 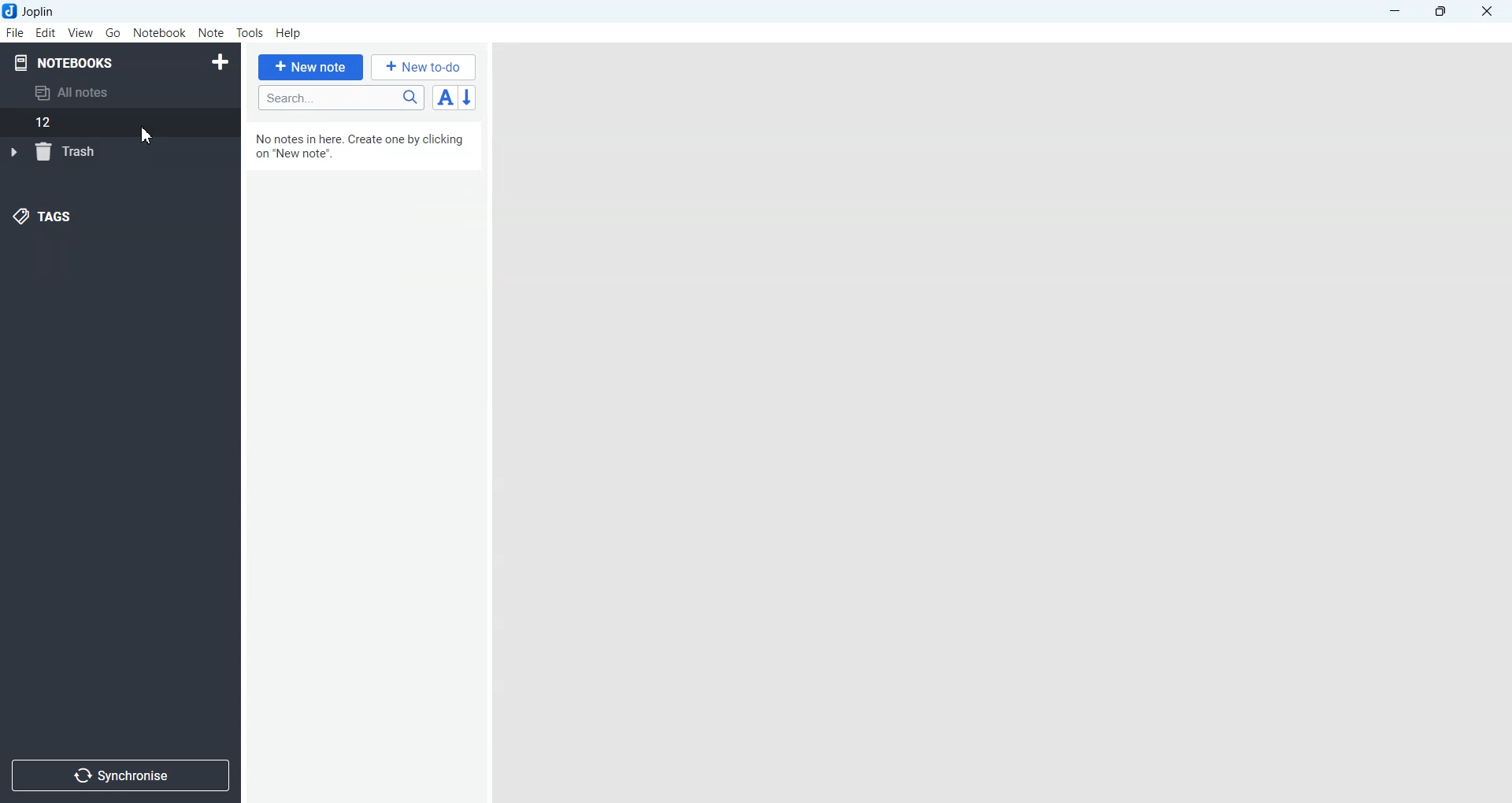 I want to click on Tools, so click(x=250, y=33).